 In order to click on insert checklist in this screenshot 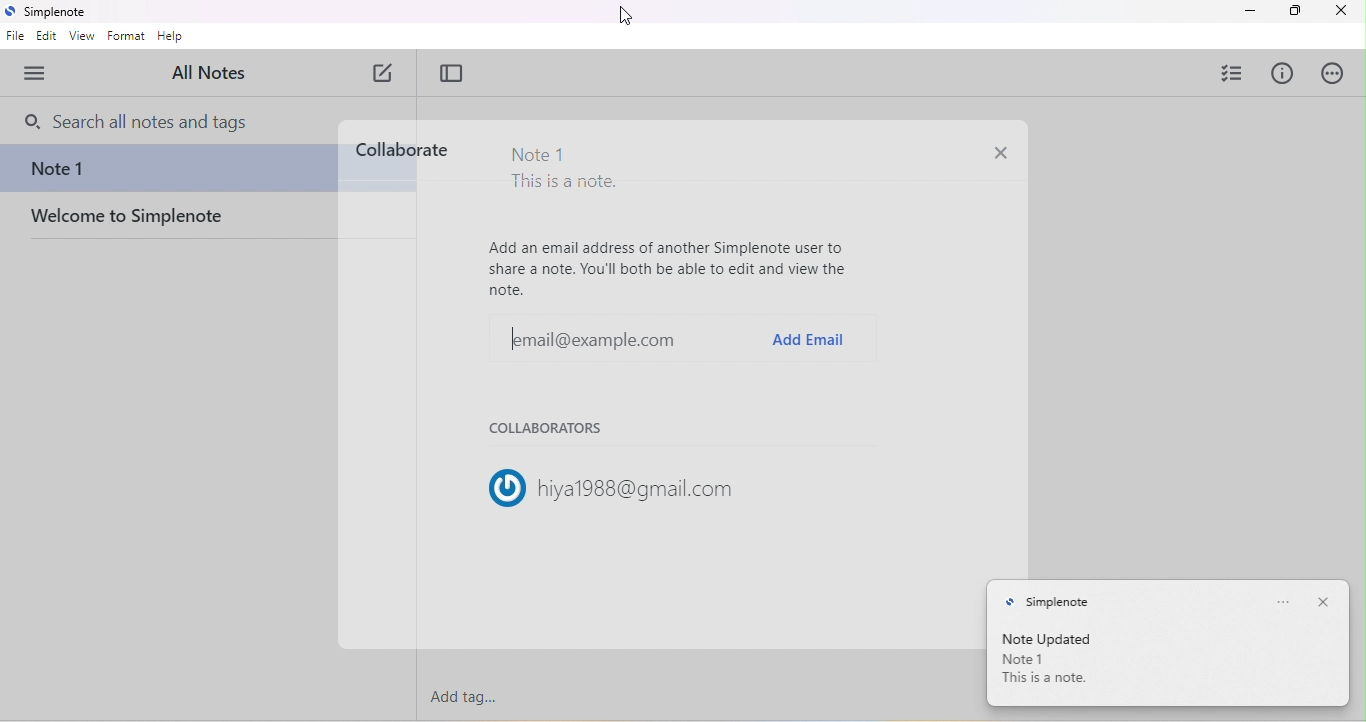, I will do `click(1231, 72)`.